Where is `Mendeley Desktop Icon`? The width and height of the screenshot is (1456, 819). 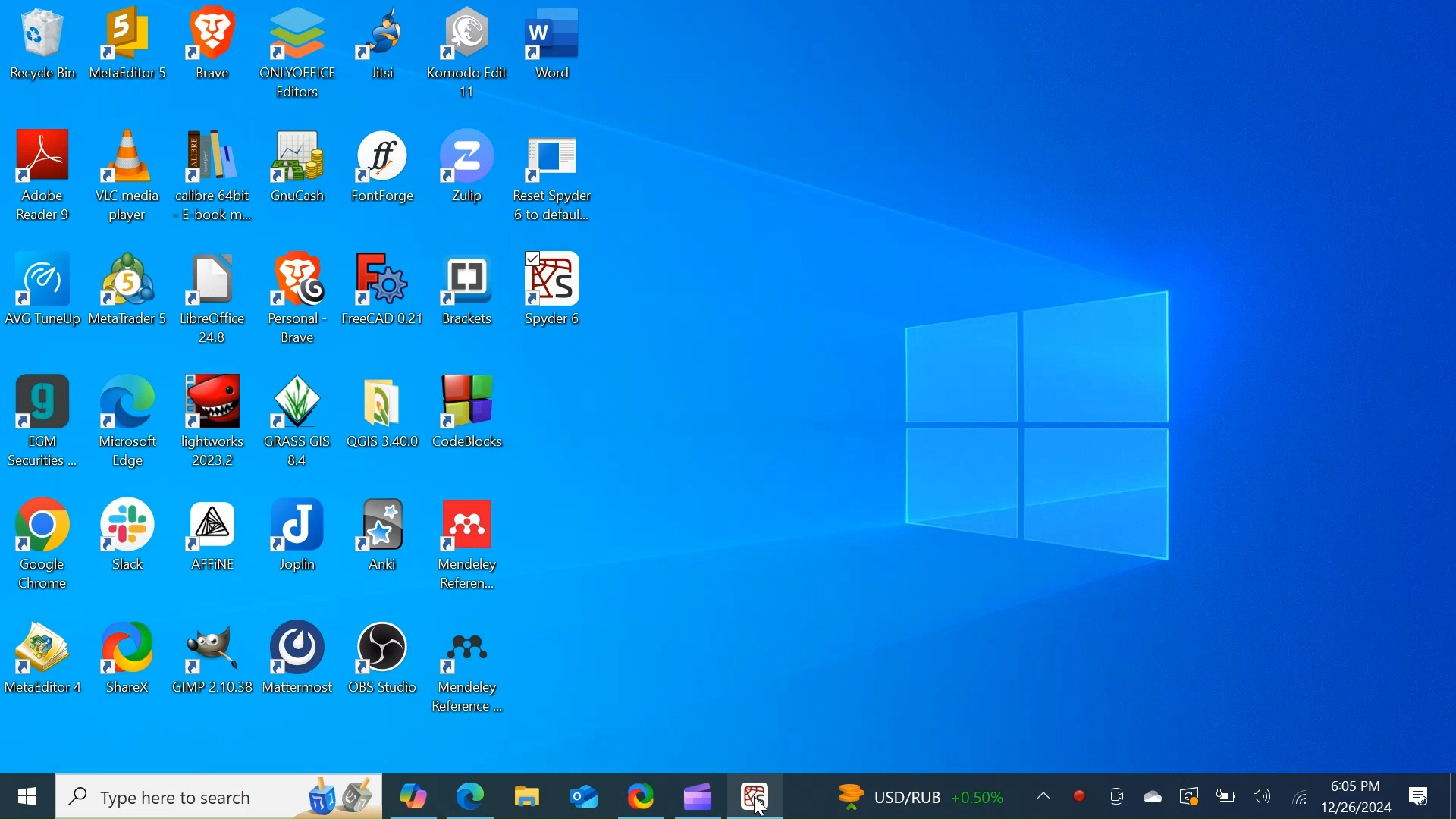
Mendeley Desktop Icon is located at coordinates (469, 666).